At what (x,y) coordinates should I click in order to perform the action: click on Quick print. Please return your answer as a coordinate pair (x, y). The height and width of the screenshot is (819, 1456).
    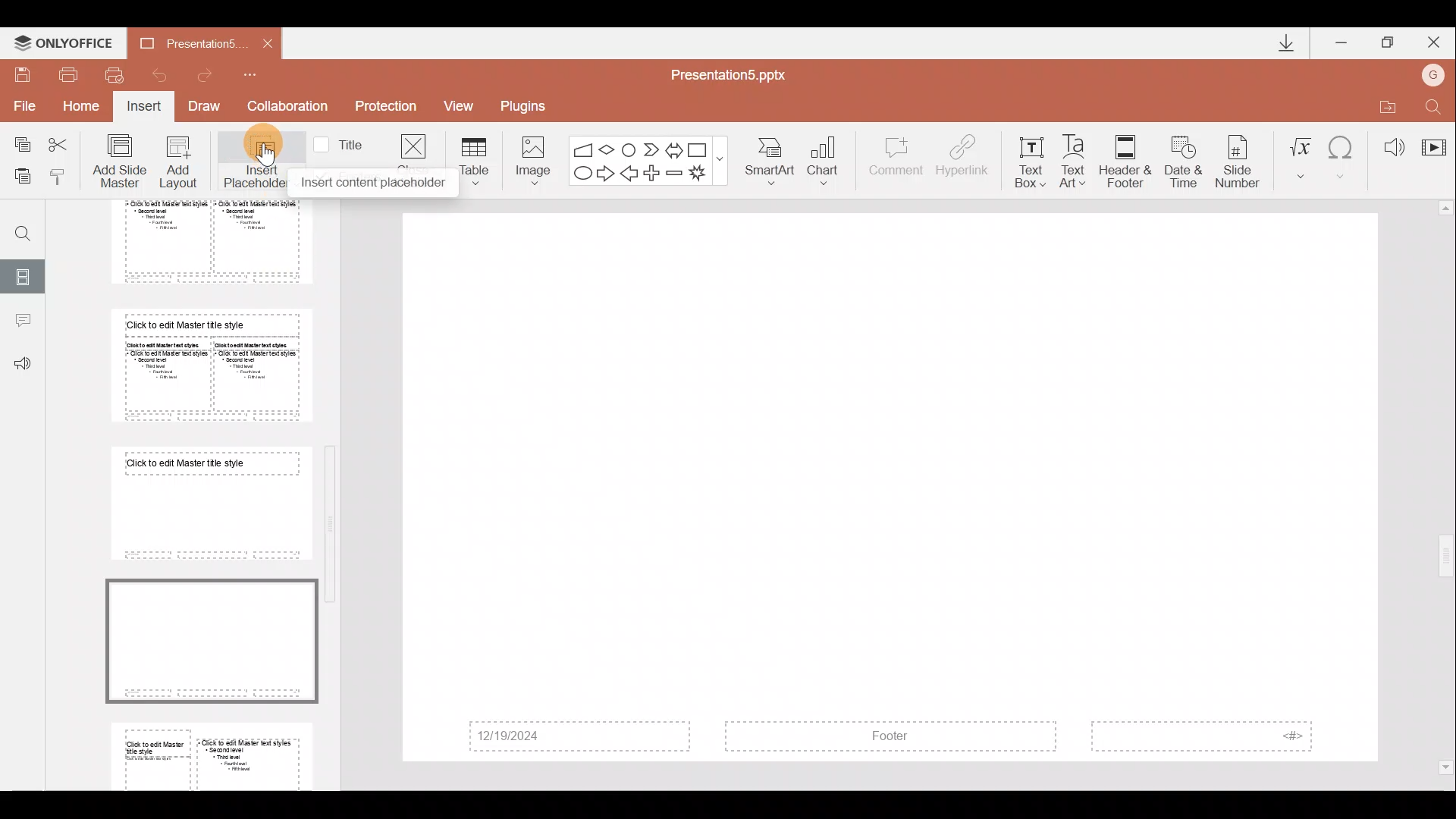
    Looking at the image, I should click on (114, 76).